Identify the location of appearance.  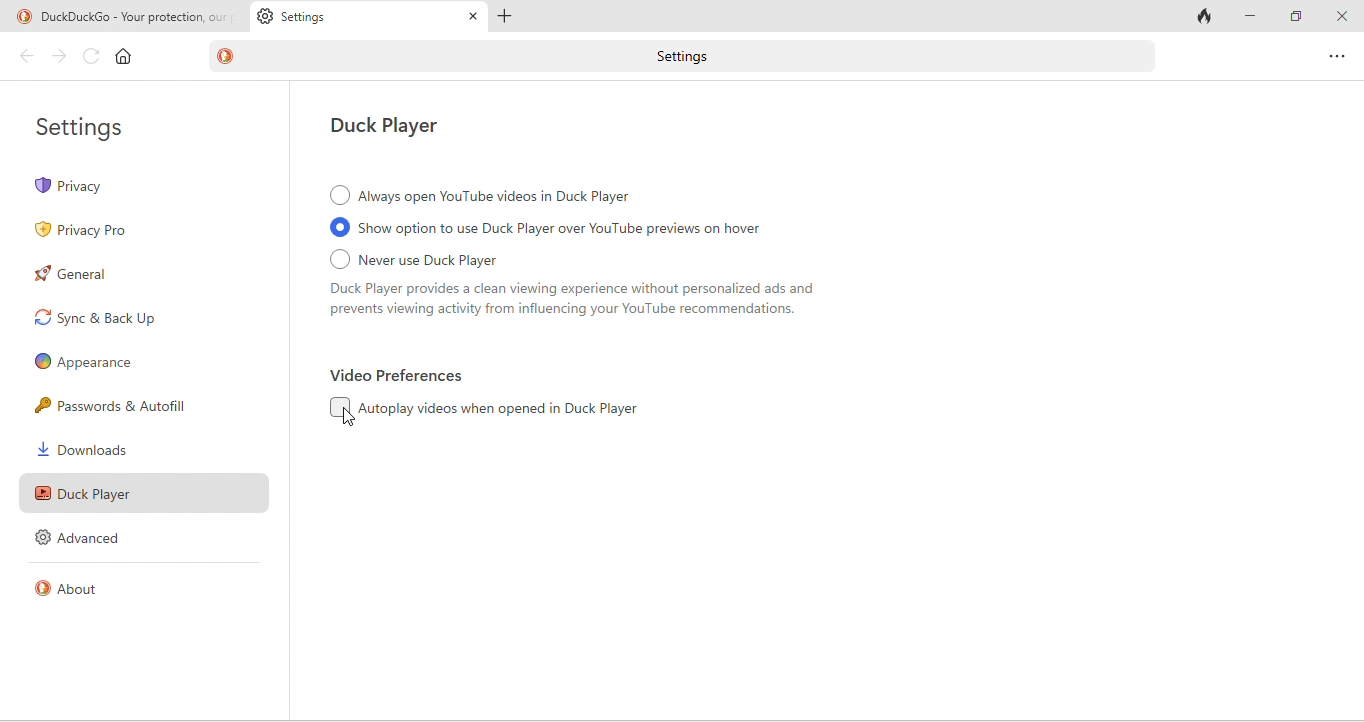
(86, 362).